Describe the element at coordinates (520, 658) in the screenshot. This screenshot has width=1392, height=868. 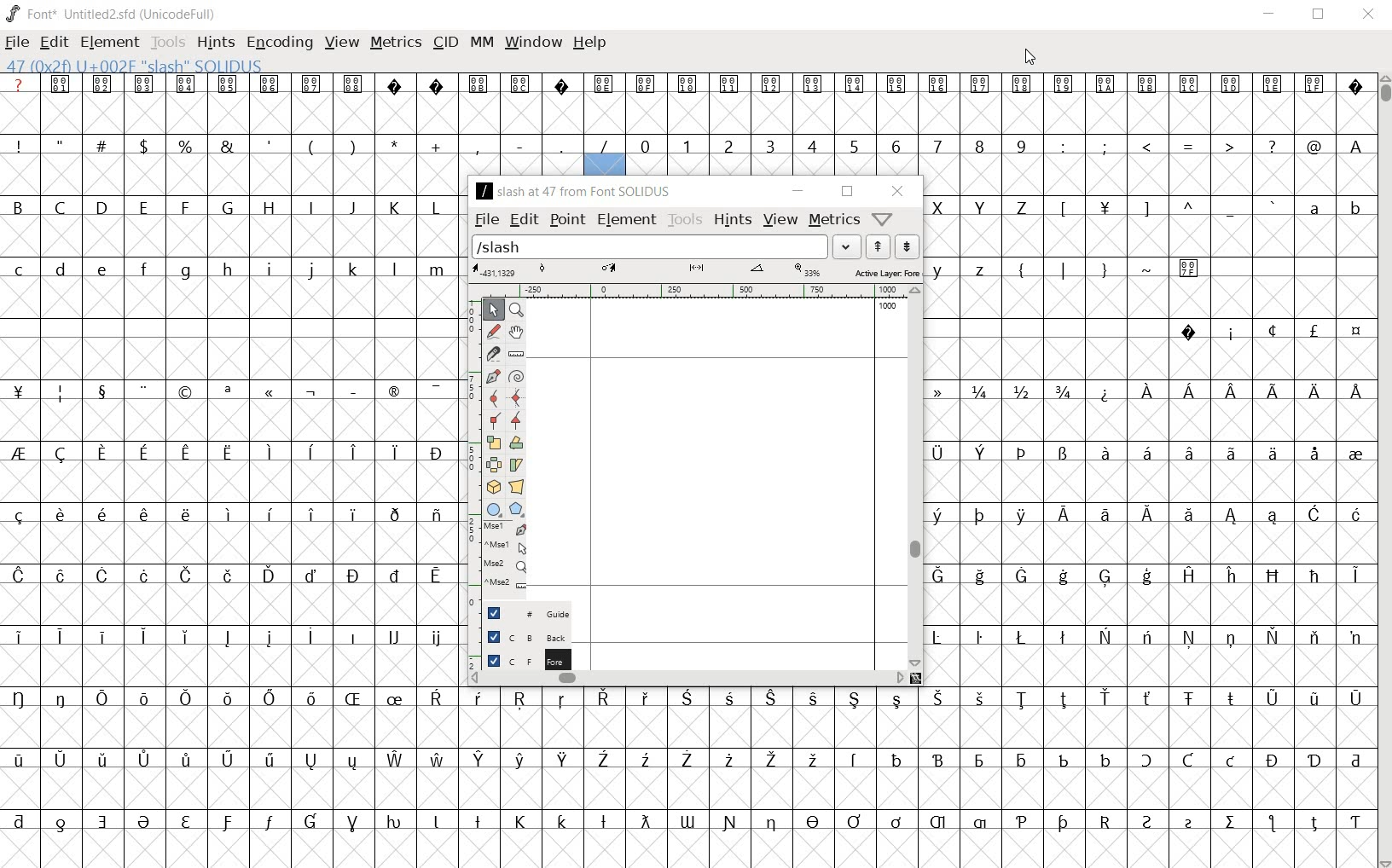
I see `foreground` at that location.